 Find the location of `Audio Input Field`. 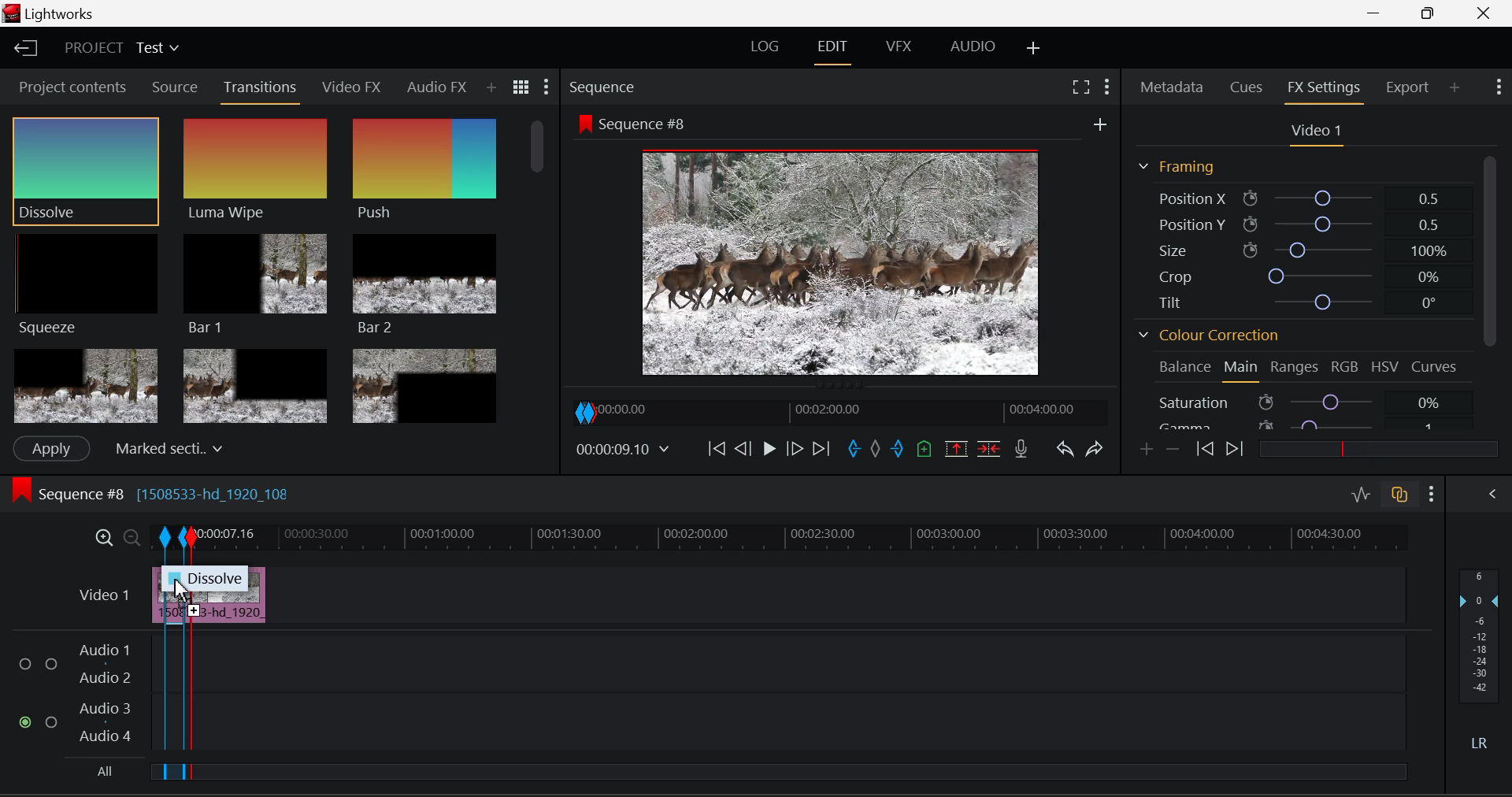

Audio Input Field is located at coordinates (798, 662).